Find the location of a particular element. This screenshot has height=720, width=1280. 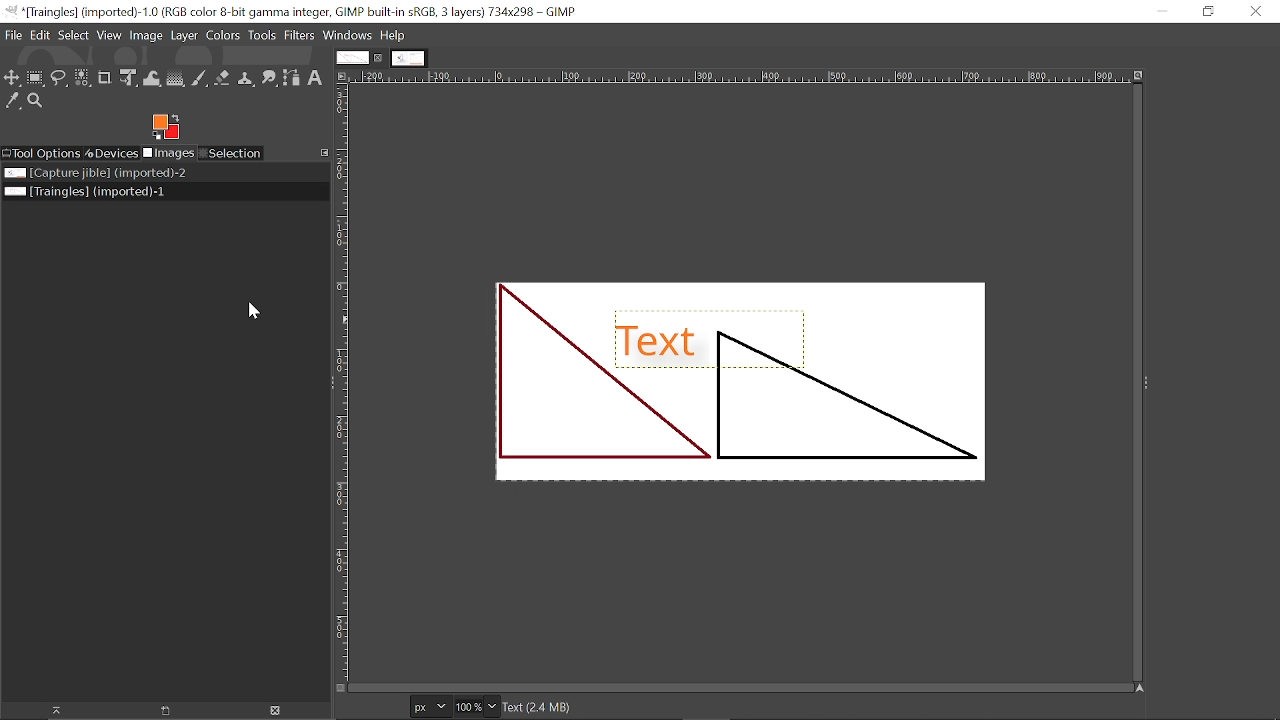

Windows is located at coordinates (347, 36).